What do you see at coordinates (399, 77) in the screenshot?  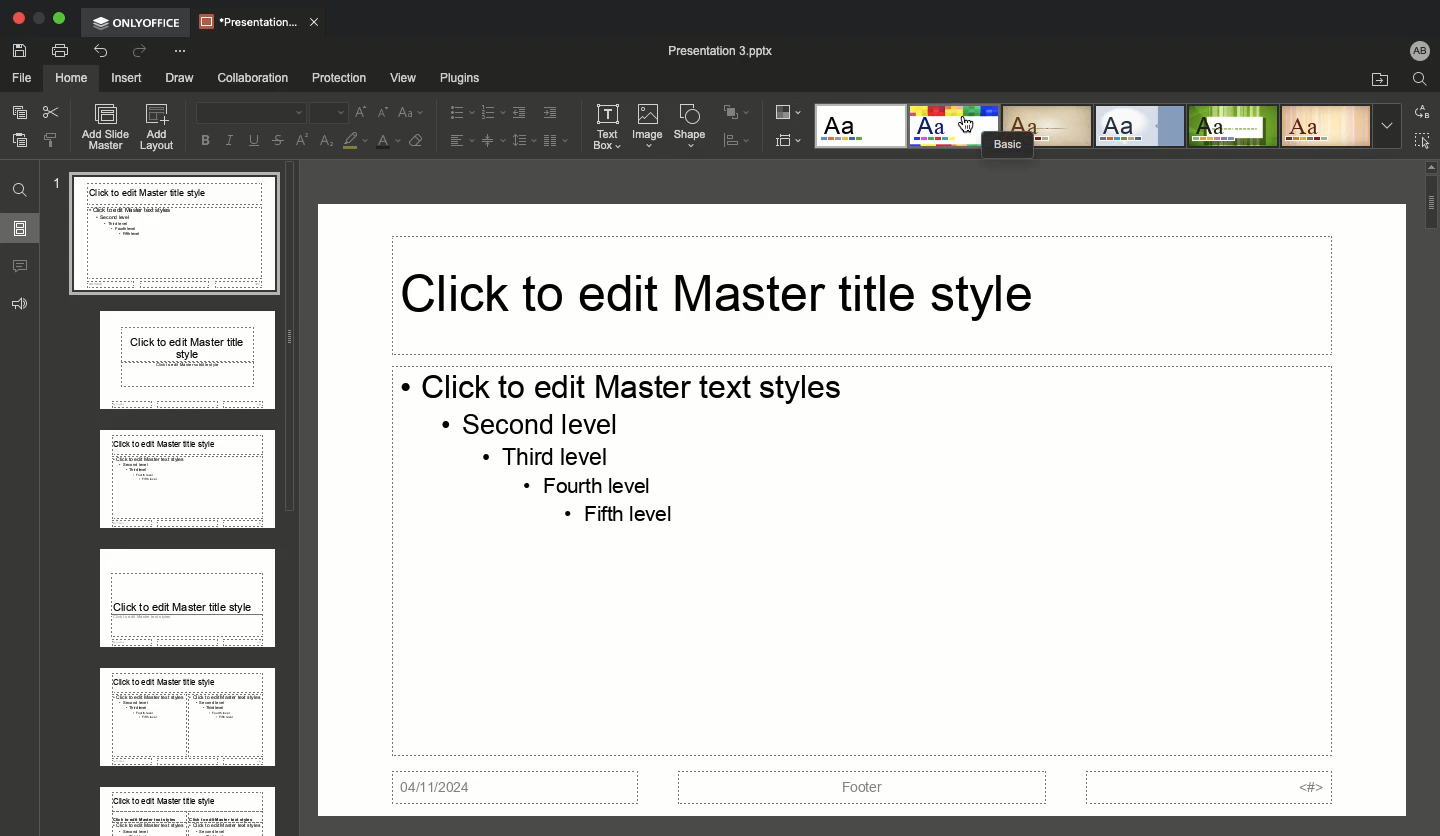 I see `View` at bounding box center [399, 77].